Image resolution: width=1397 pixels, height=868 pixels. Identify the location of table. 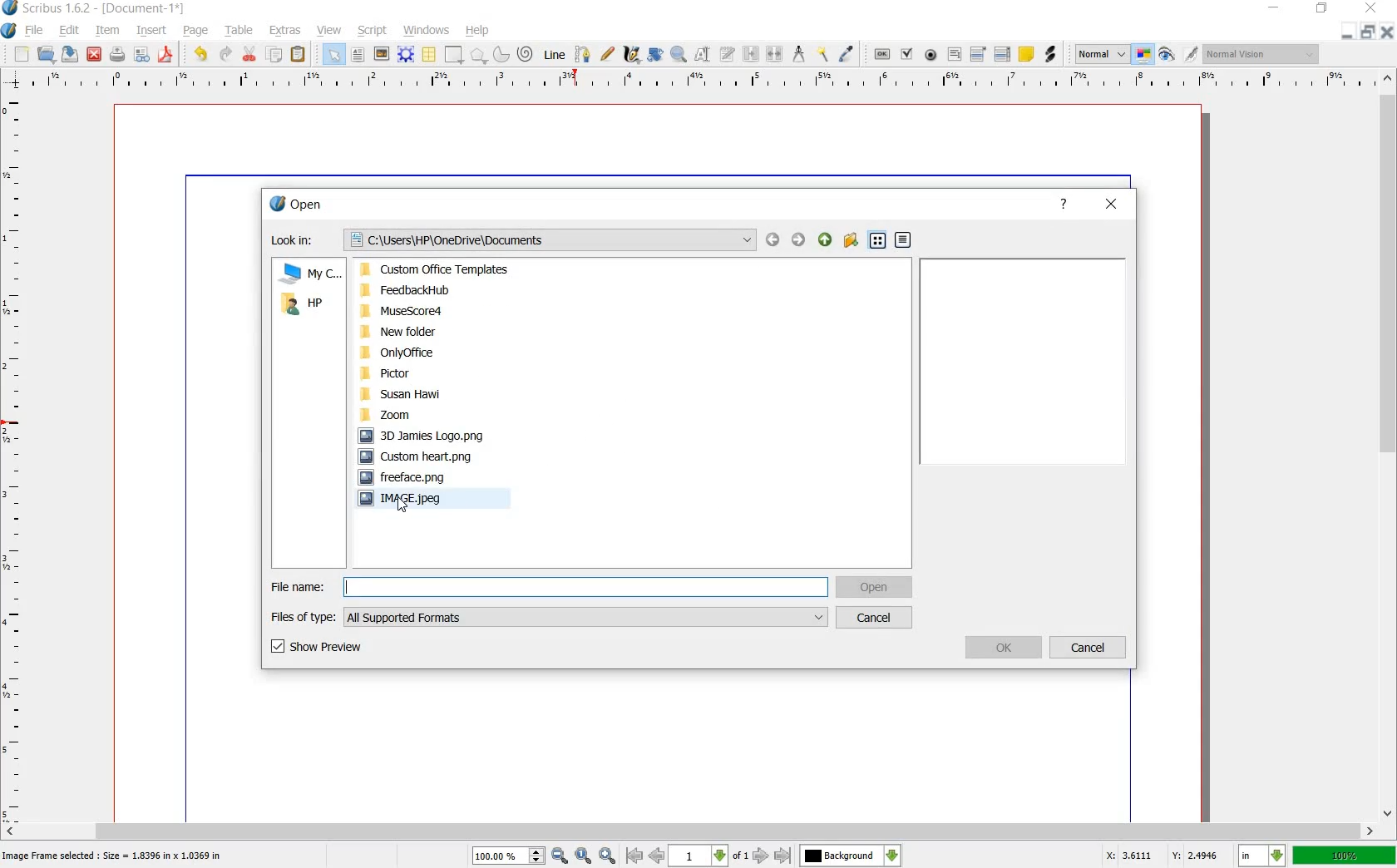
(240, 31).